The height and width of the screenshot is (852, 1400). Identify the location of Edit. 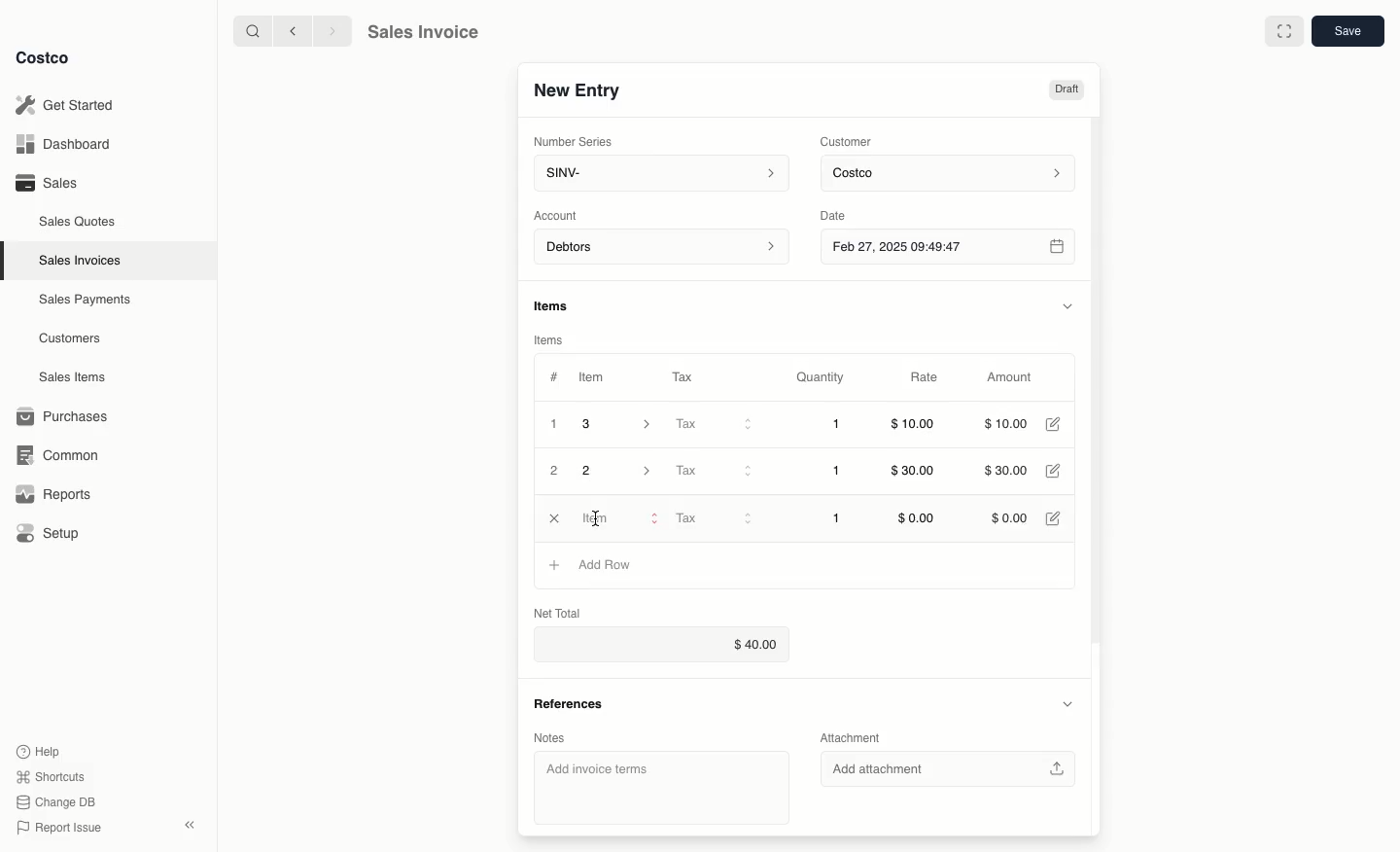
(1056, 424).